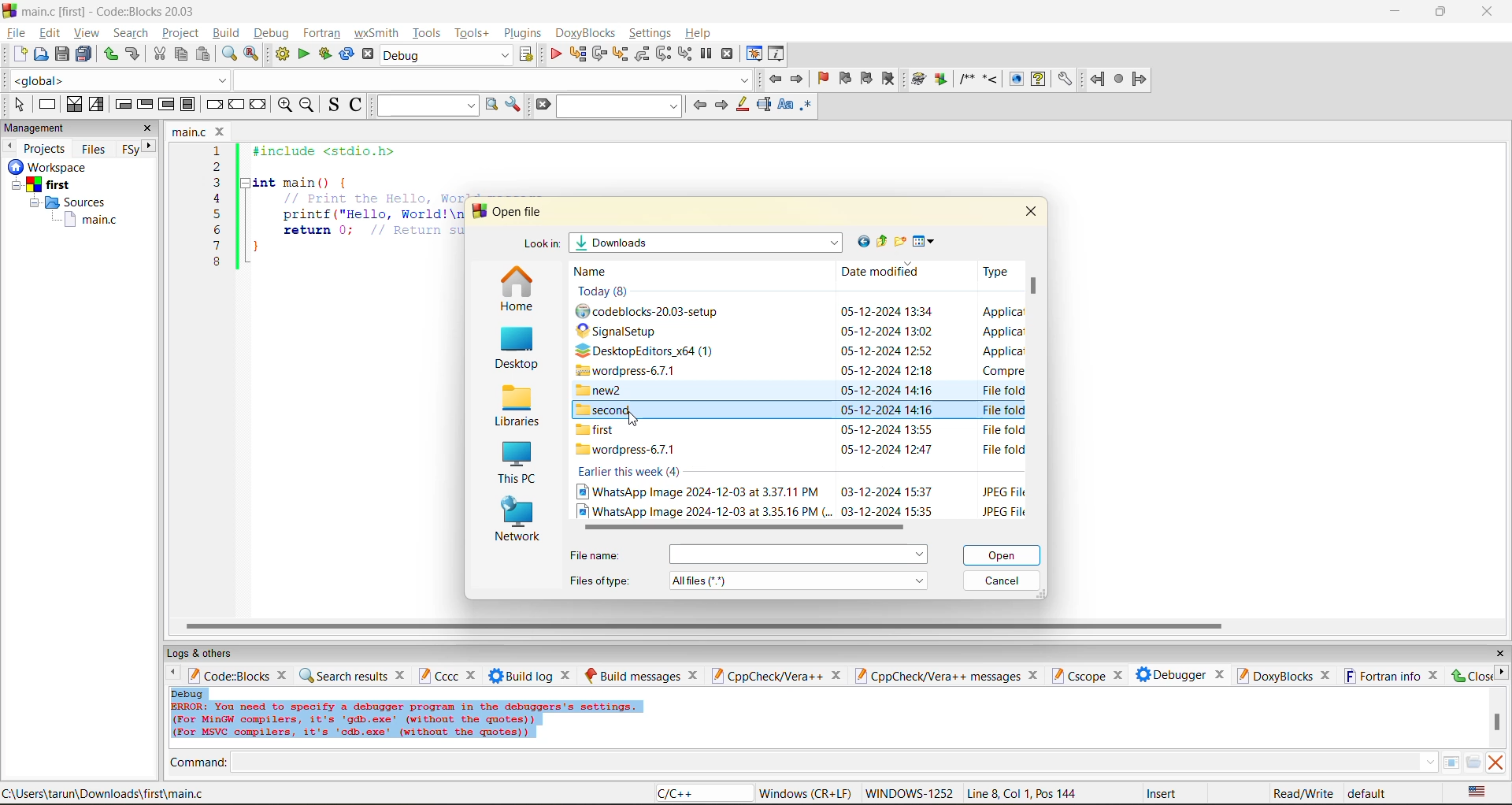  I want to click on read/write, so click(1303, 793).